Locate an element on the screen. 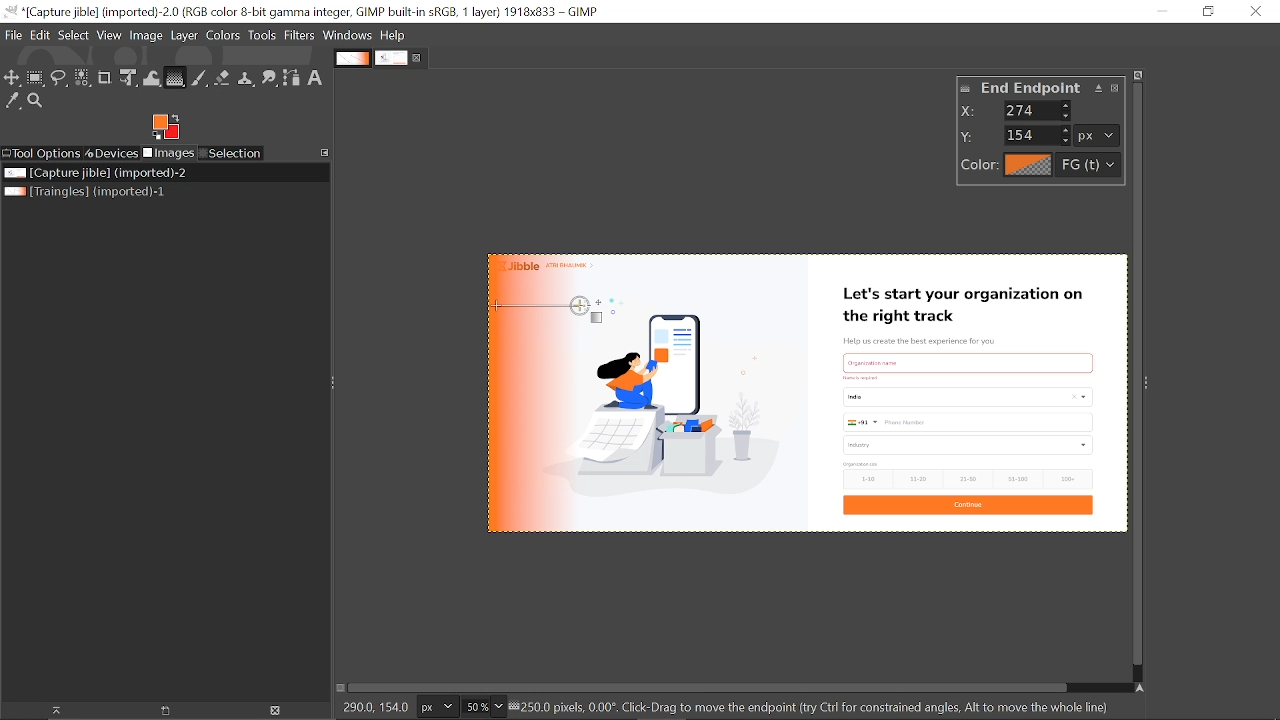  zoom image when window size changes is located at coordinates (1139, 73).